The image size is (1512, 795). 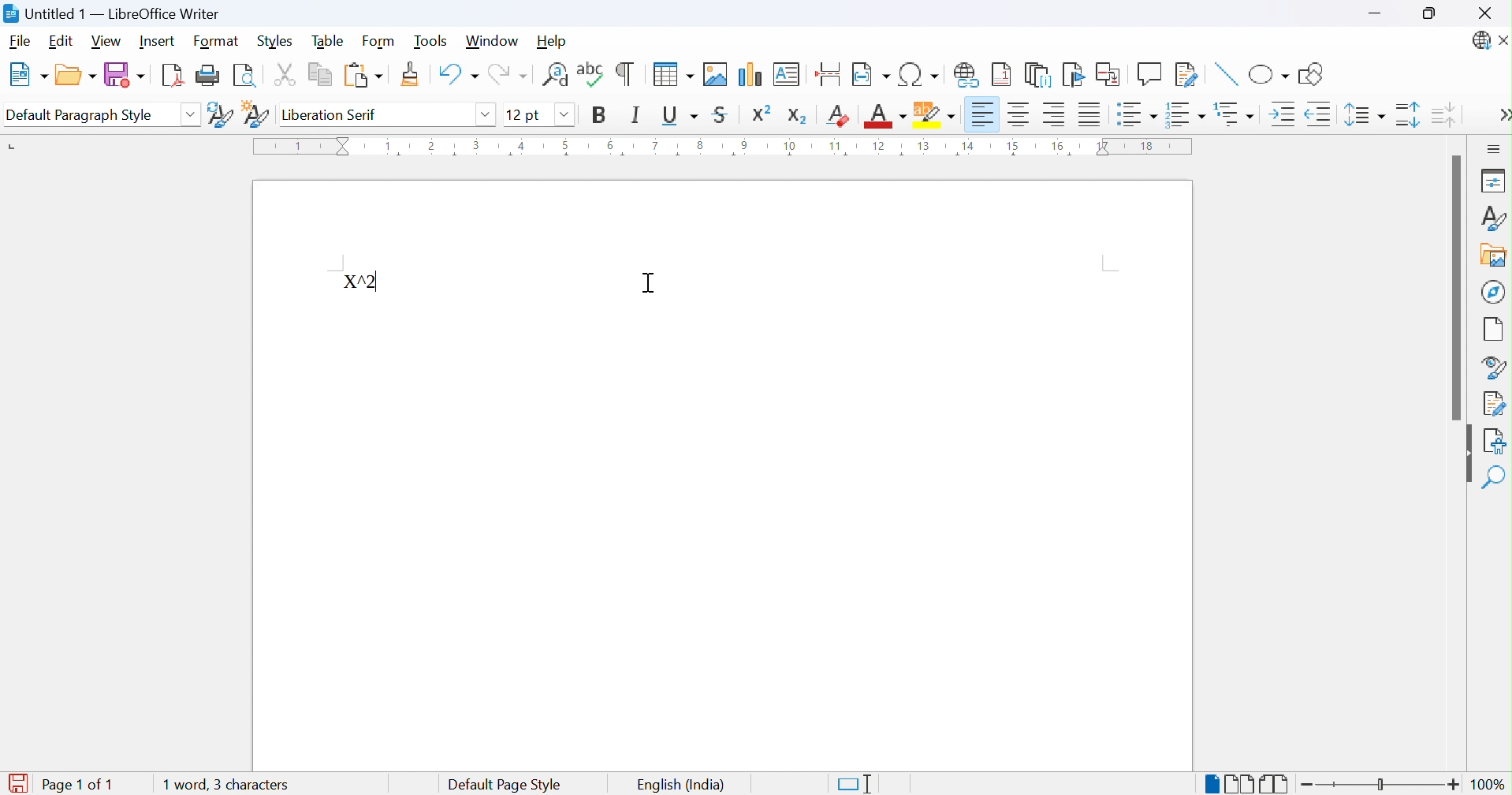 What do you see at coordinates (1444, 116) in the screenshot?
I see `Decrease paragraph spacing` at bounding box center [1444, 116].